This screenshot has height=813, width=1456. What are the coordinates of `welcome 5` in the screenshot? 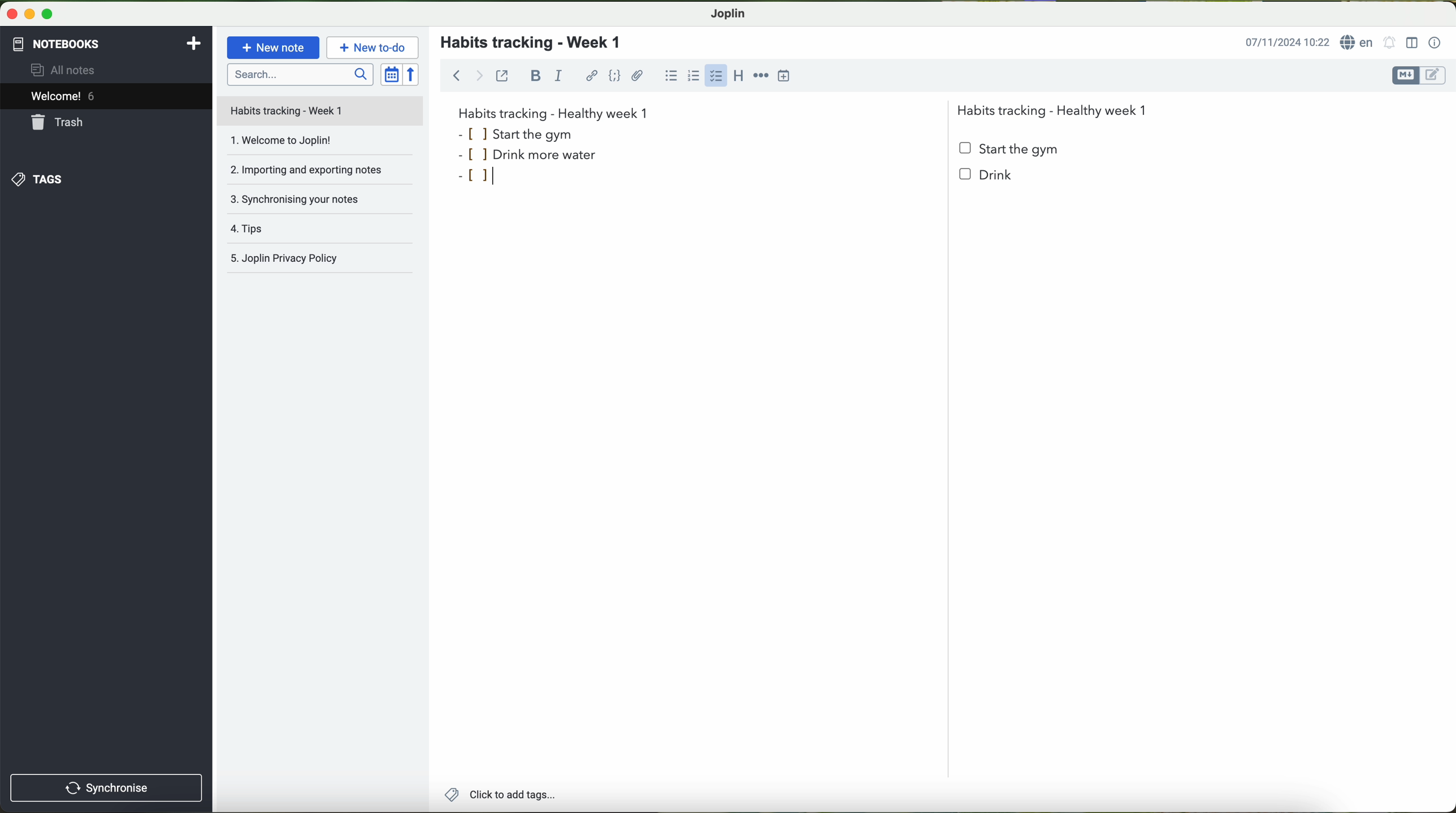 It's located at (63, 96).